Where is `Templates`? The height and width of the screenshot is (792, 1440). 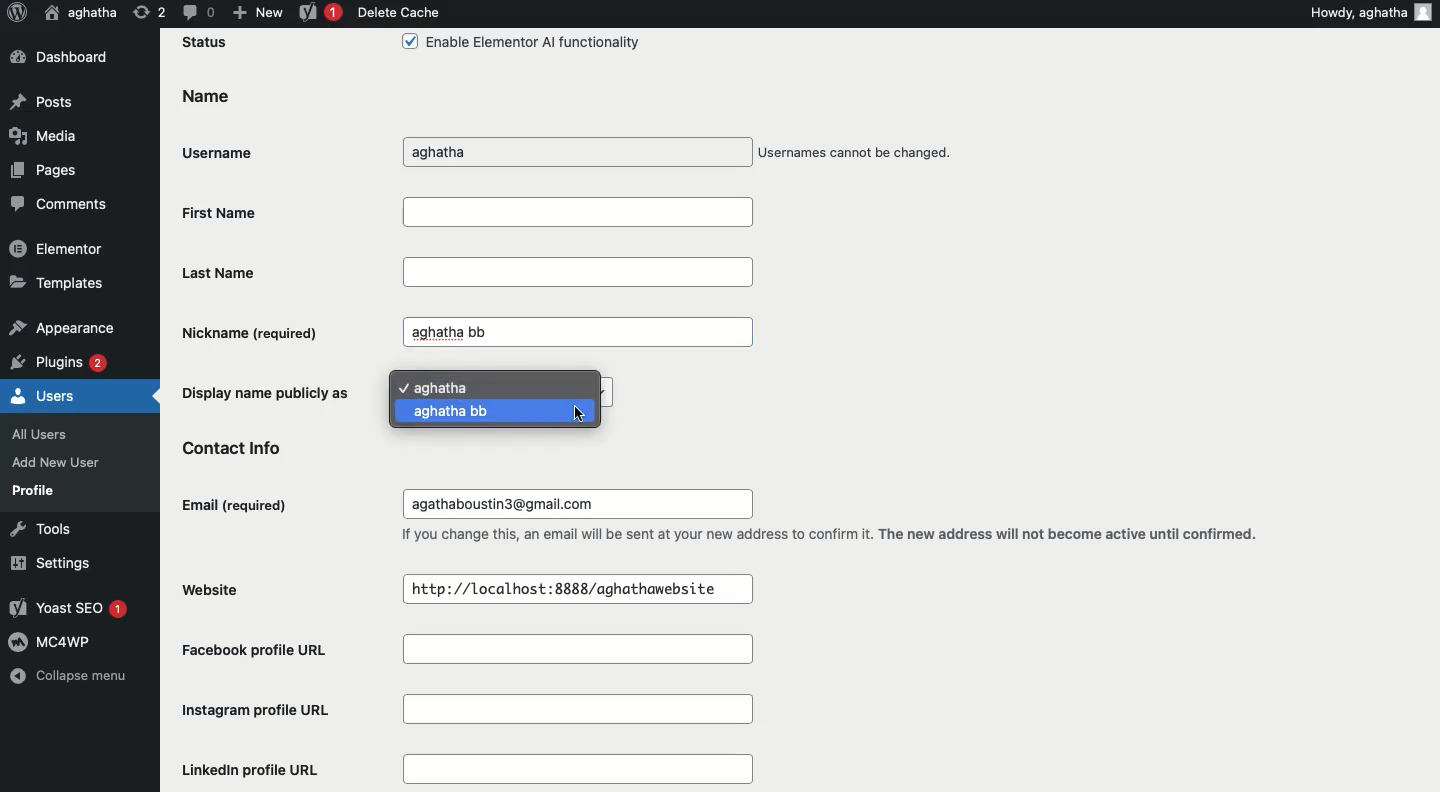 Templates is located at coordinates (58, 281).